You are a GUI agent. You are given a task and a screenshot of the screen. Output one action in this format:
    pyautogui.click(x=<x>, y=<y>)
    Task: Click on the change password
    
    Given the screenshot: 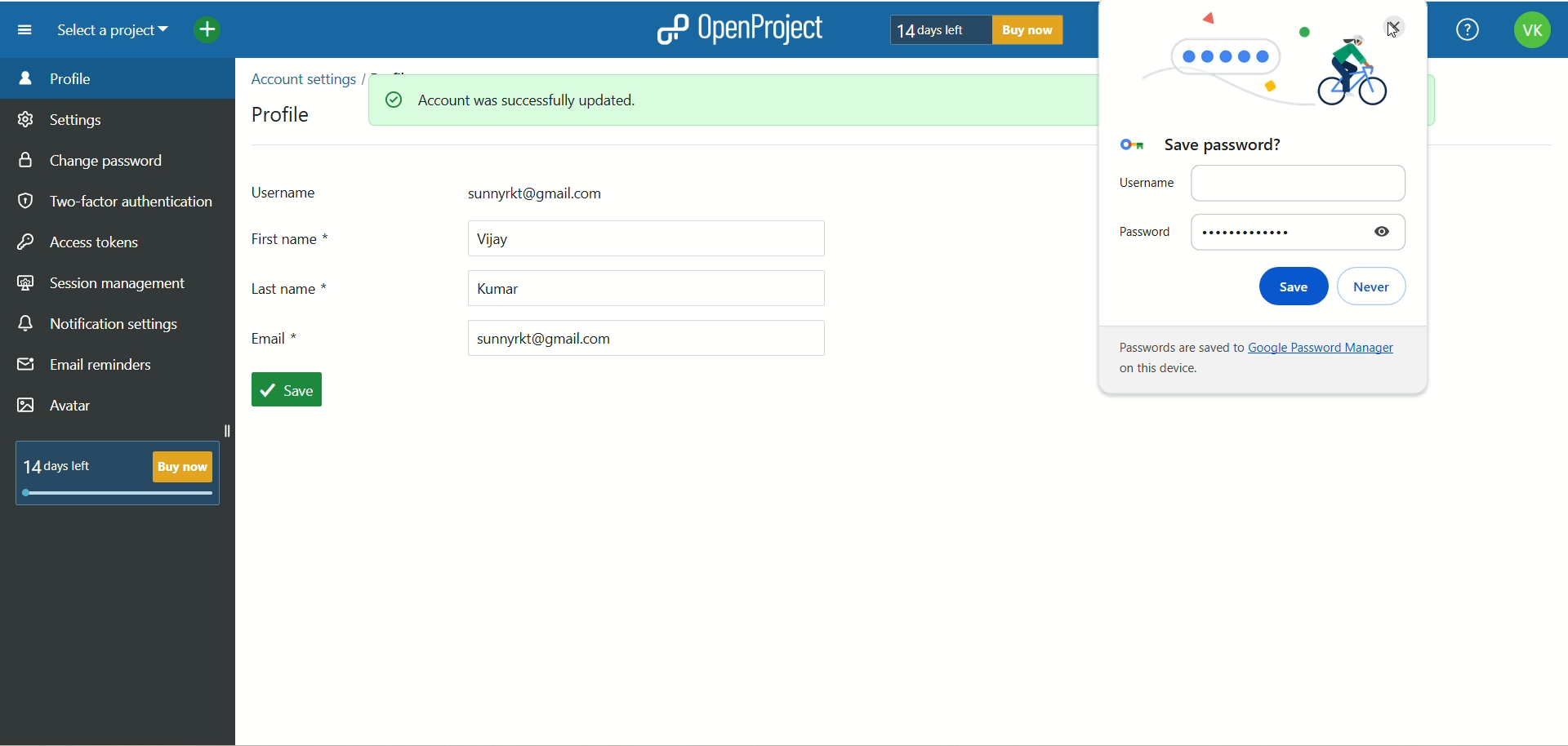 What is the action you would take?
    pyautogui.click(x=97, y=162)
    